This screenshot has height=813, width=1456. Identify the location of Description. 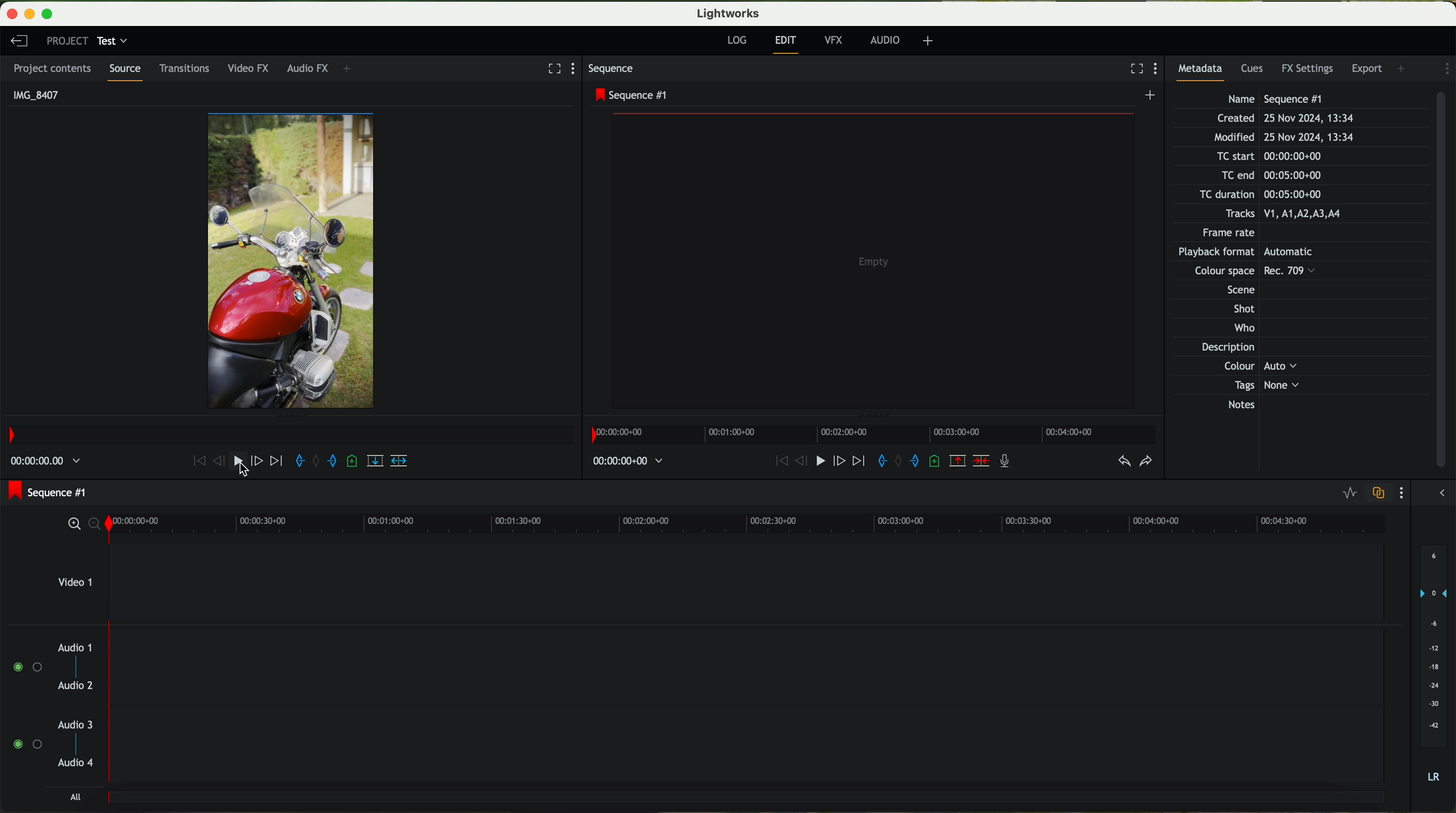
(1241, 348).